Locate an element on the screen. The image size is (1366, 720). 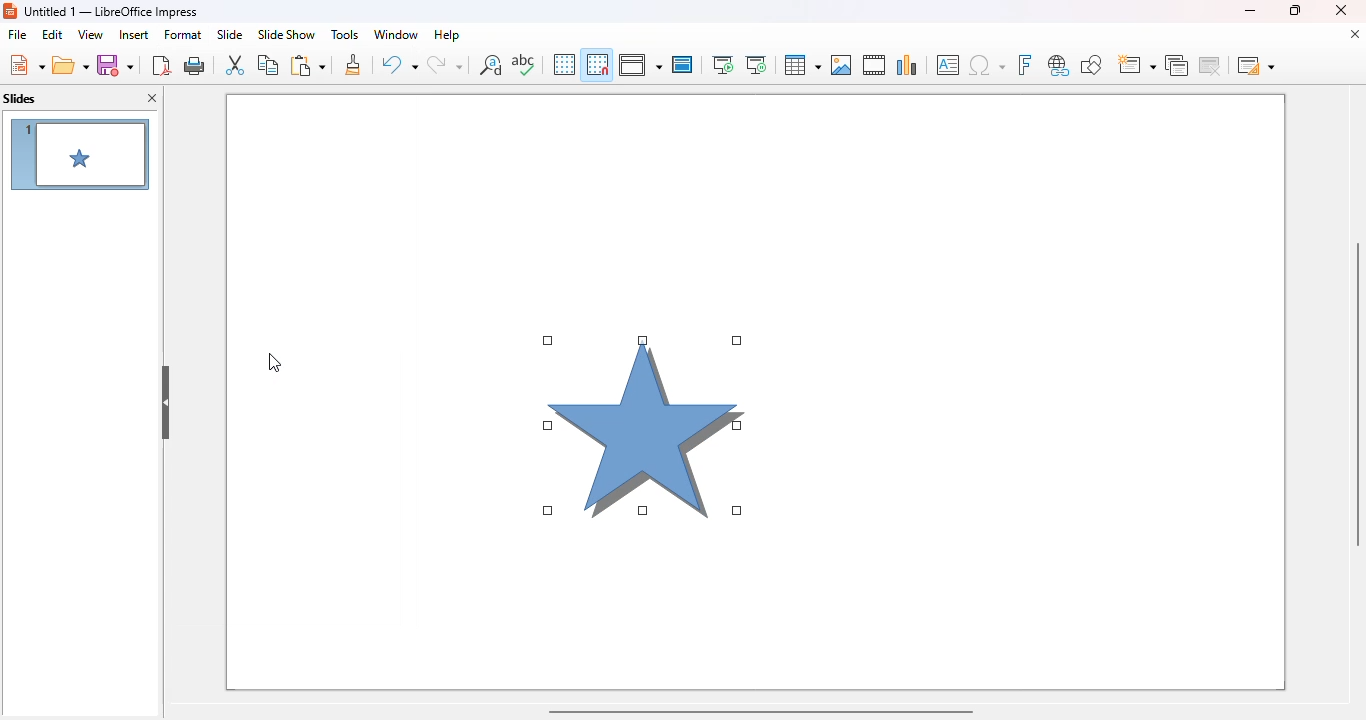
paste is located at coordinates (307, 65).